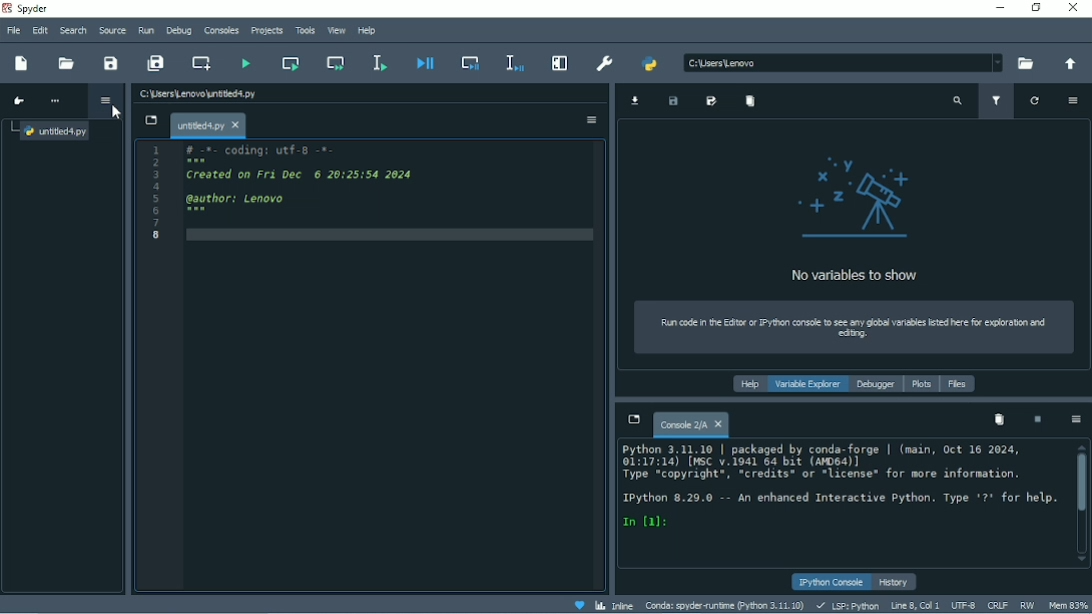 The image size is (1092, 614). What do you see at coordinates (73, 30) in the screenshot?
I see `Search` at bounding box center [73, 30].